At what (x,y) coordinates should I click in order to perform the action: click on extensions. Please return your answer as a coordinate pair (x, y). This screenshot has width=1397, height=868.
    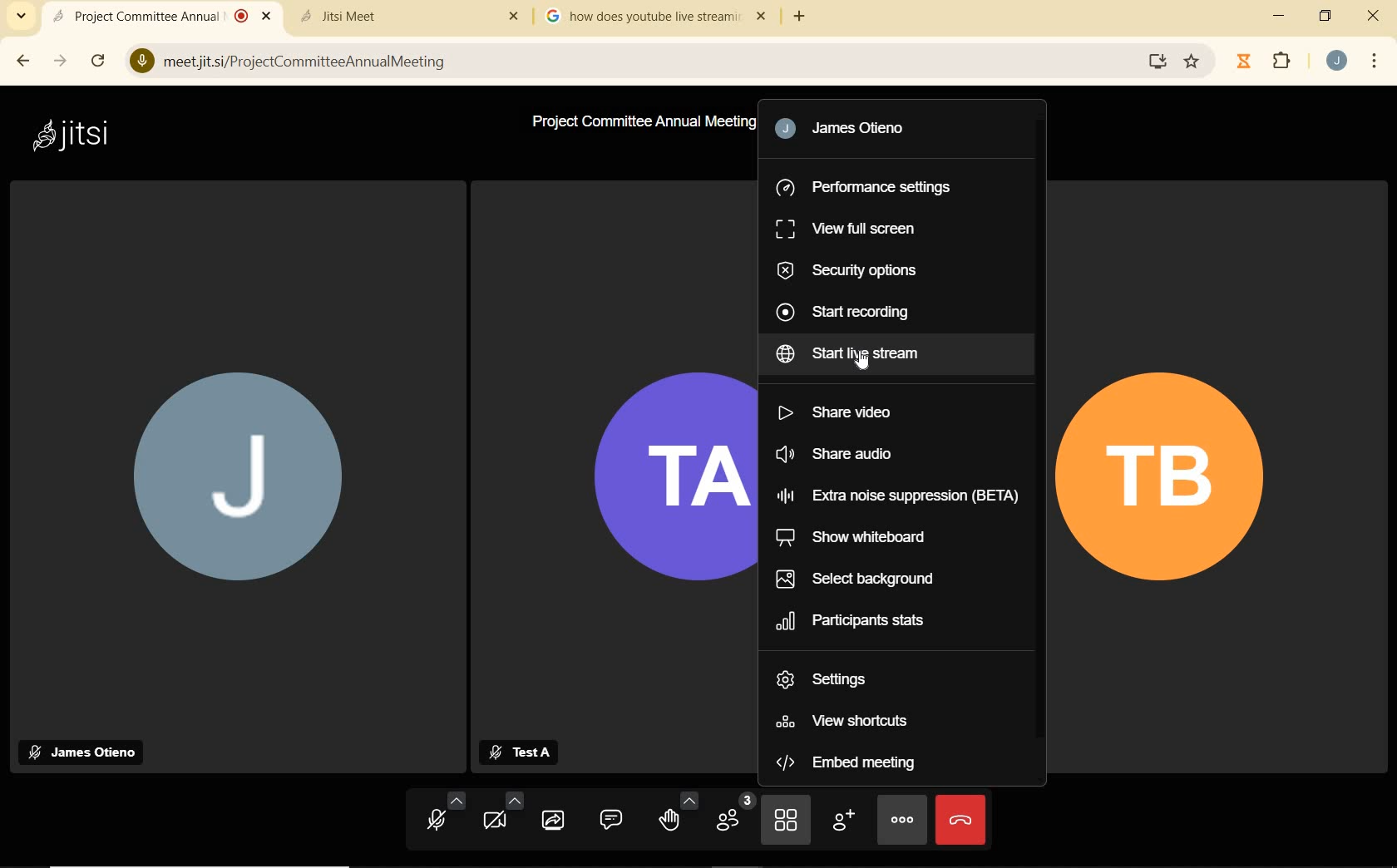
    Looking at the image, I should click on (1286, 63).